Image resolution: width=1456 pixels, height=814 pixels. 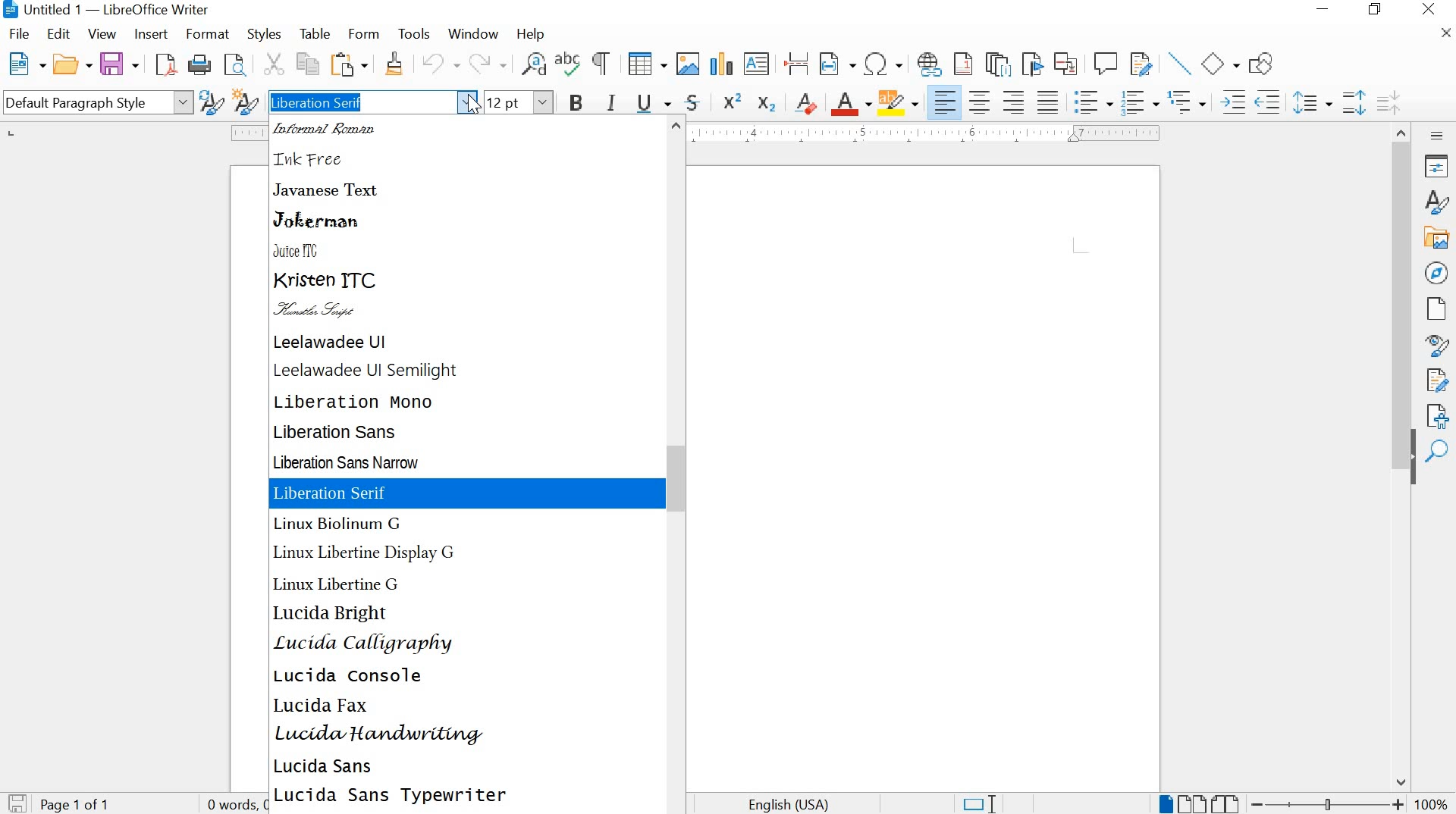 I want to click on MINIMIZE, so click(x=1326, y=11).